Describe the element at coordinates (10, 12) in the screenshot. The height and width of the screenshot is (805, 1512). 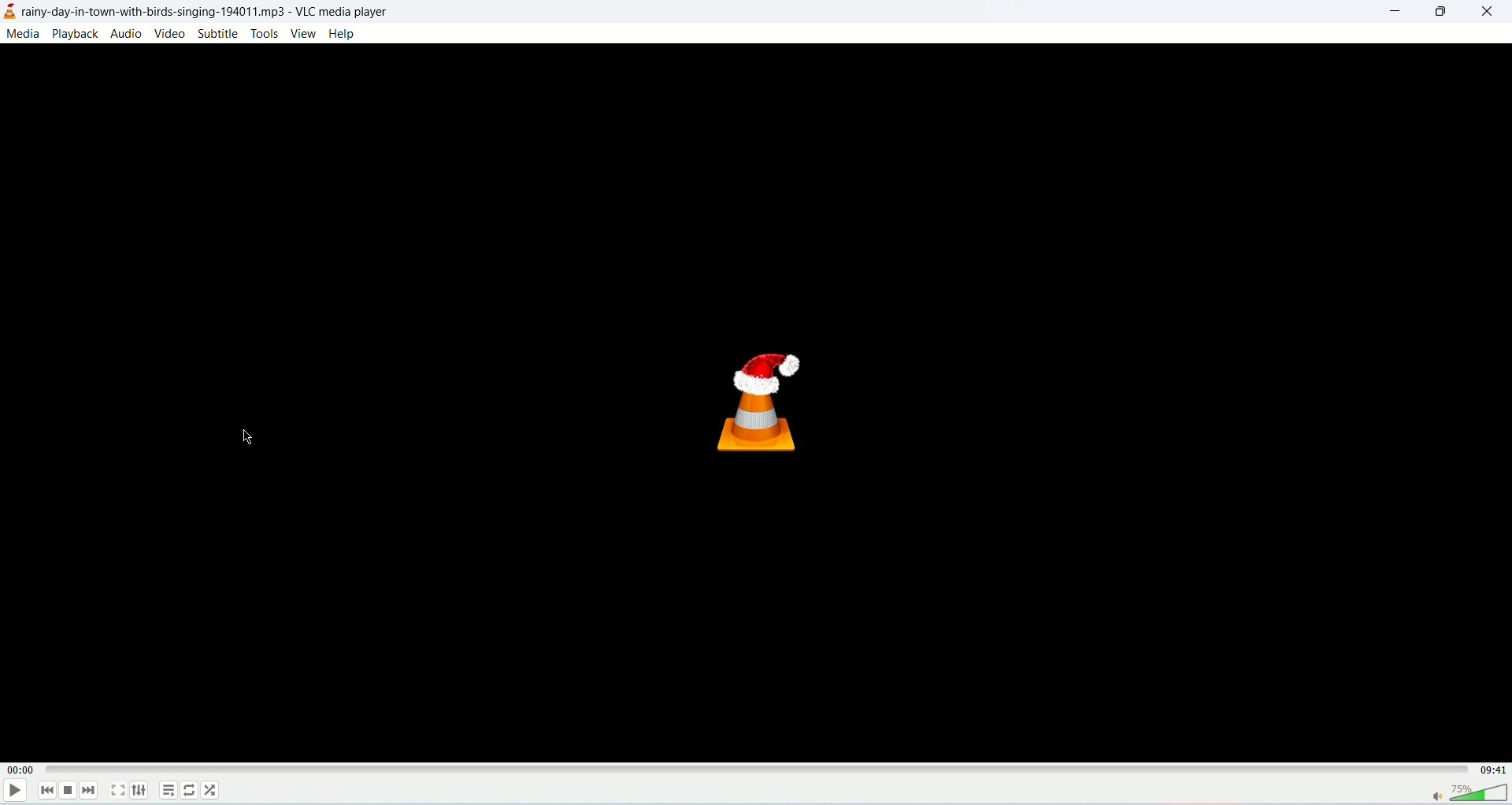
I see `logo` at that location.